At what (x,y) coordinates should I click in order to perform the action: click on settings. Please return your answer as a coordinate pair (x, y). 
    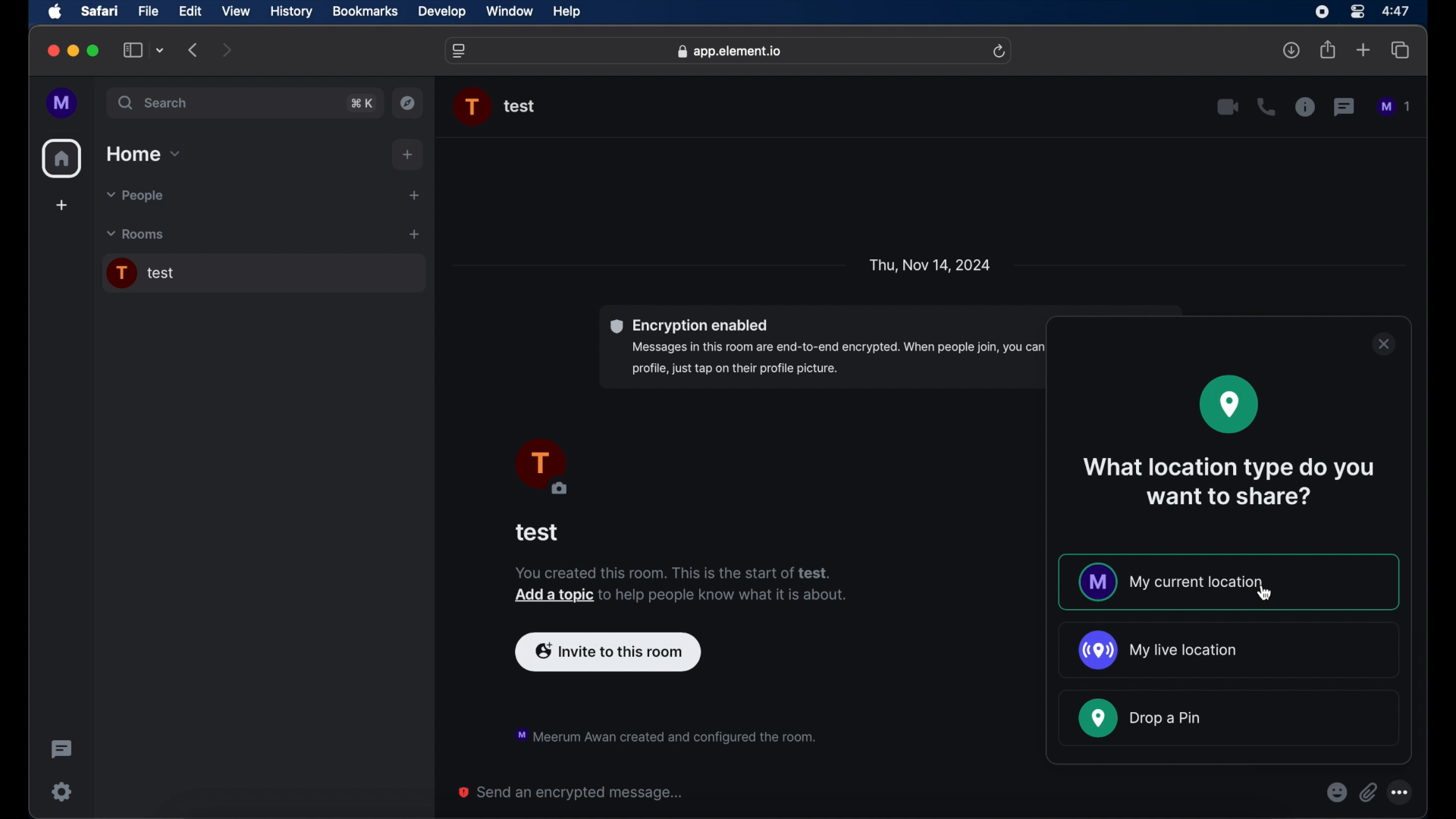
    Looking at the image, I should click on (61, 791).